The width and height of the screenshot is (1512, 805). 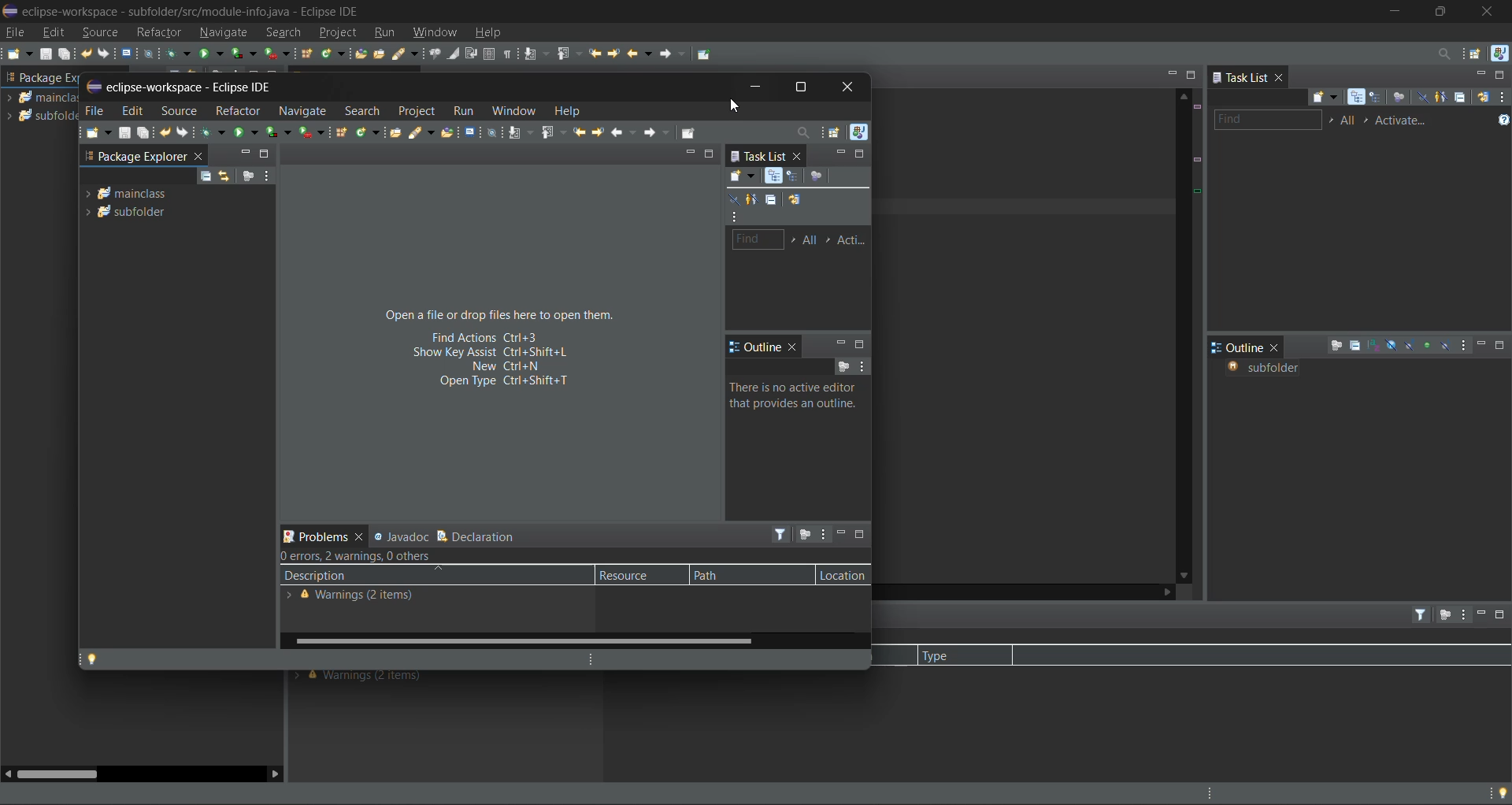 What do you see at coordinates (840, 153) in the screenshot?
I see `minimize` at bounding box center [840, 153].